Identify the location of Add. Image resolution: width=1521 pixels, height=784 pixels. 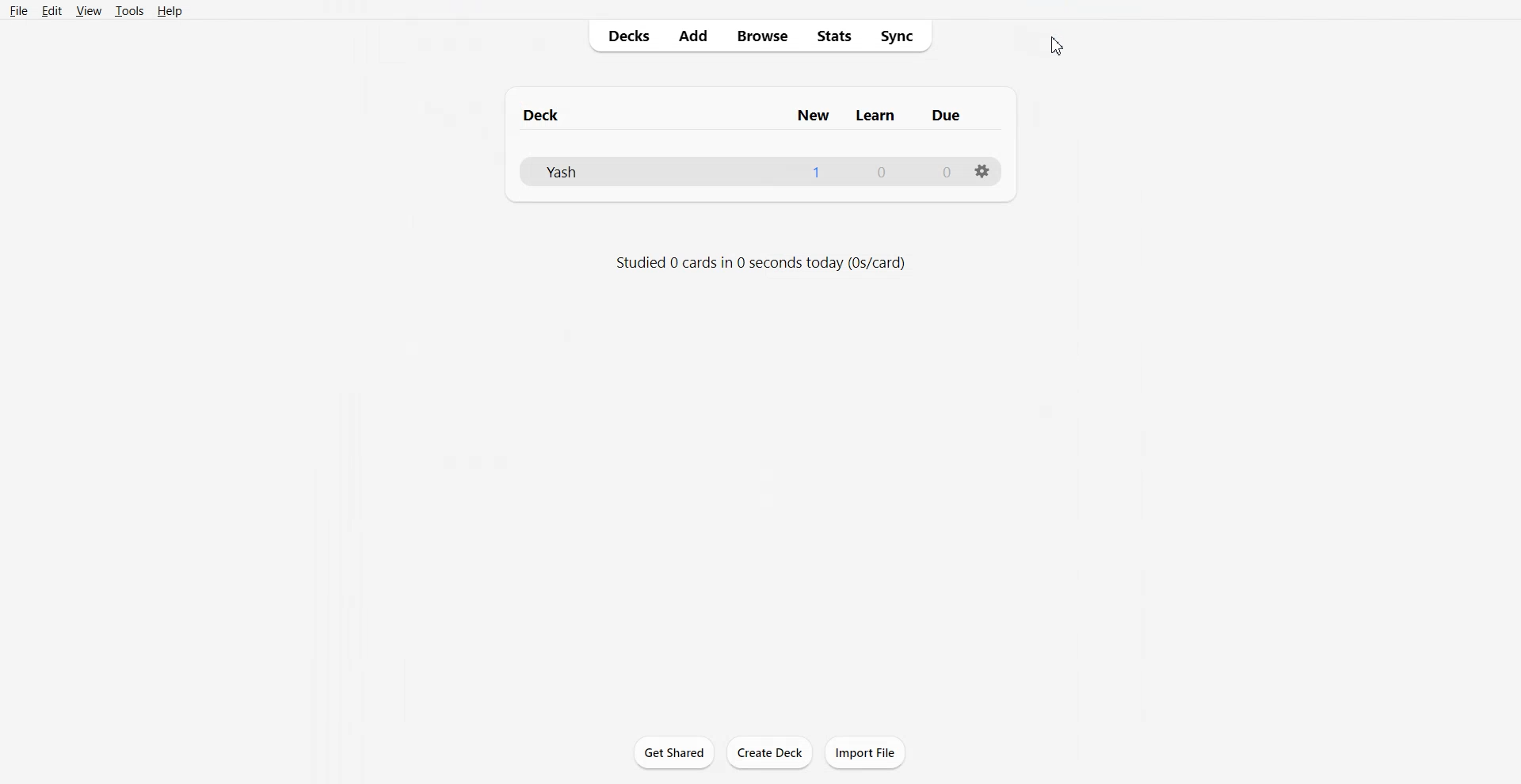
(692, 36).